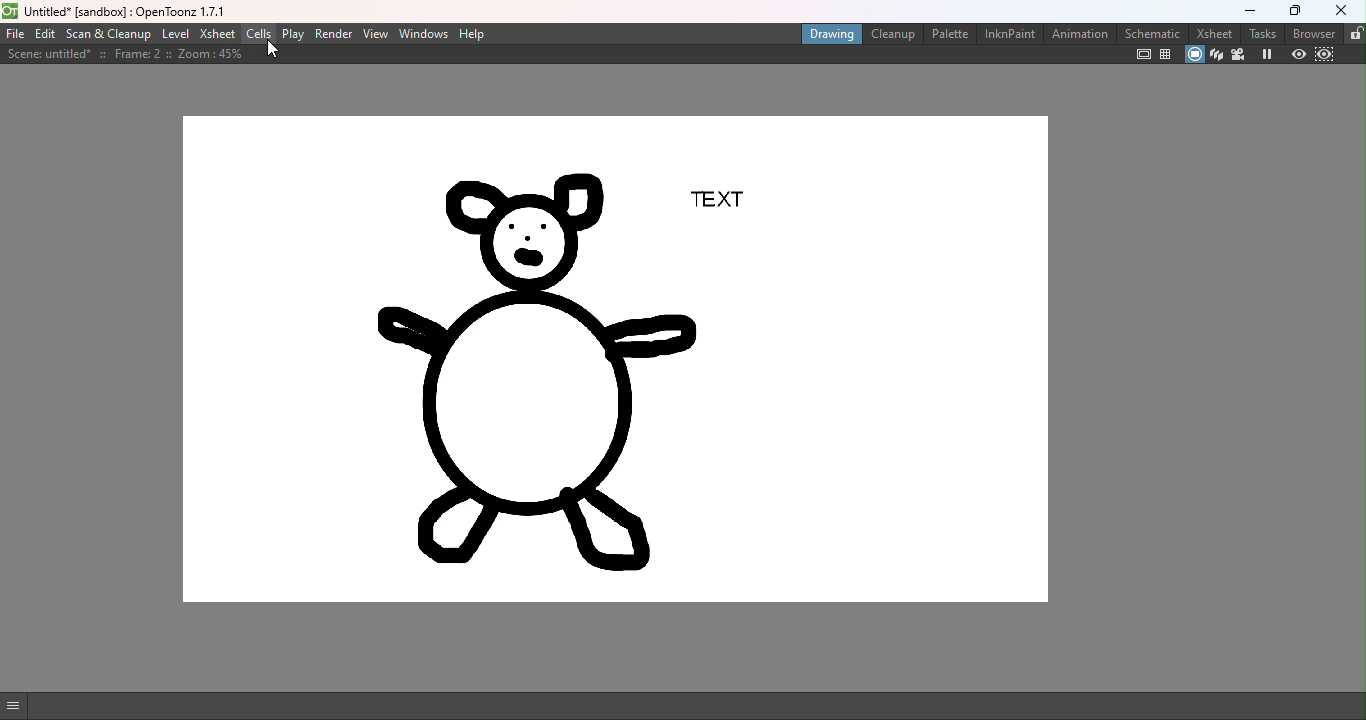 This screenshot has height=720, width=1366. Describe the element at coordinates (175, 34) in the screenshot. I see `Level` at that location.